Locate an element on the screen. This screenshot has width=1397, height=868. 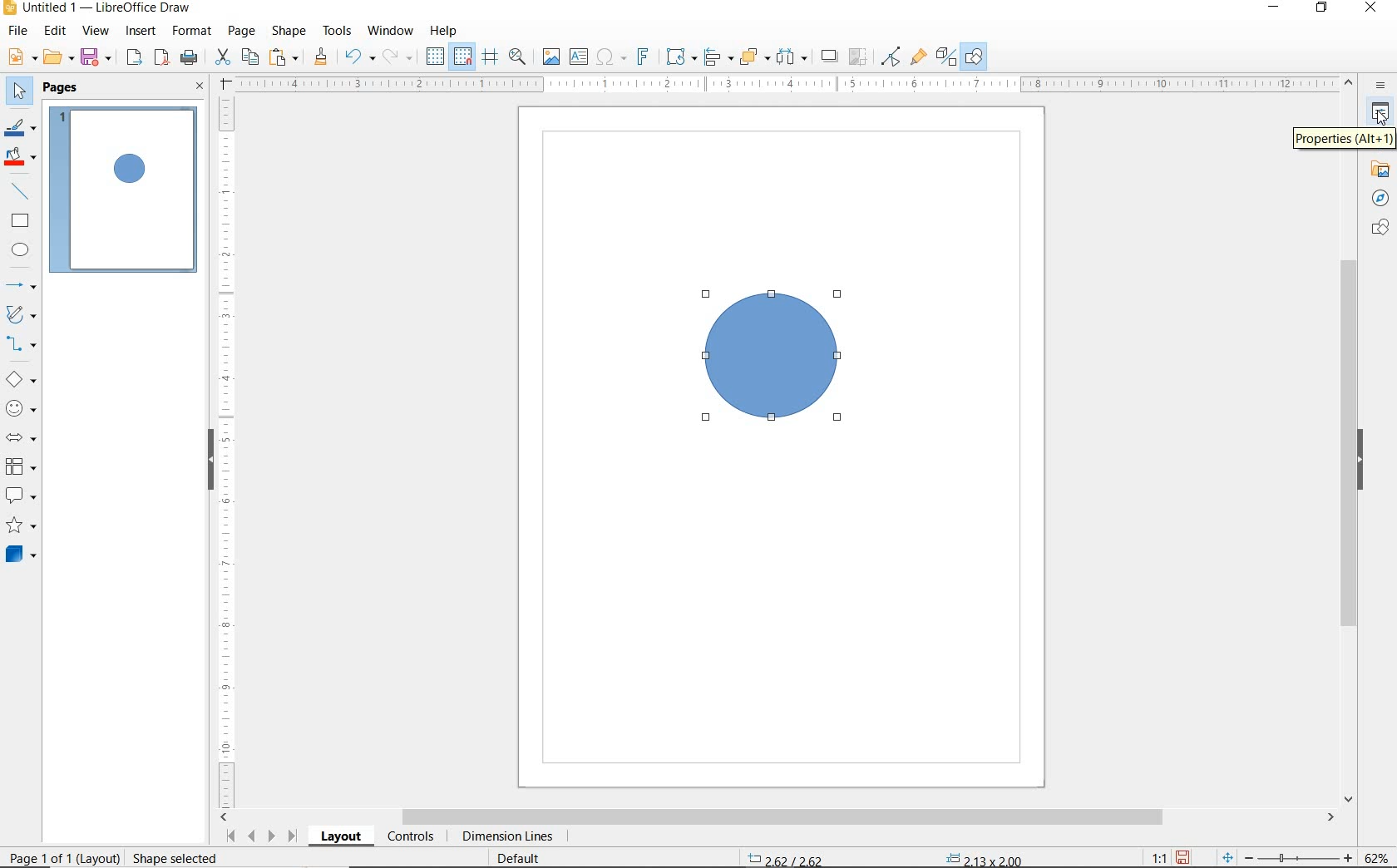
Scroll up is located at coordinates (1350, 86).